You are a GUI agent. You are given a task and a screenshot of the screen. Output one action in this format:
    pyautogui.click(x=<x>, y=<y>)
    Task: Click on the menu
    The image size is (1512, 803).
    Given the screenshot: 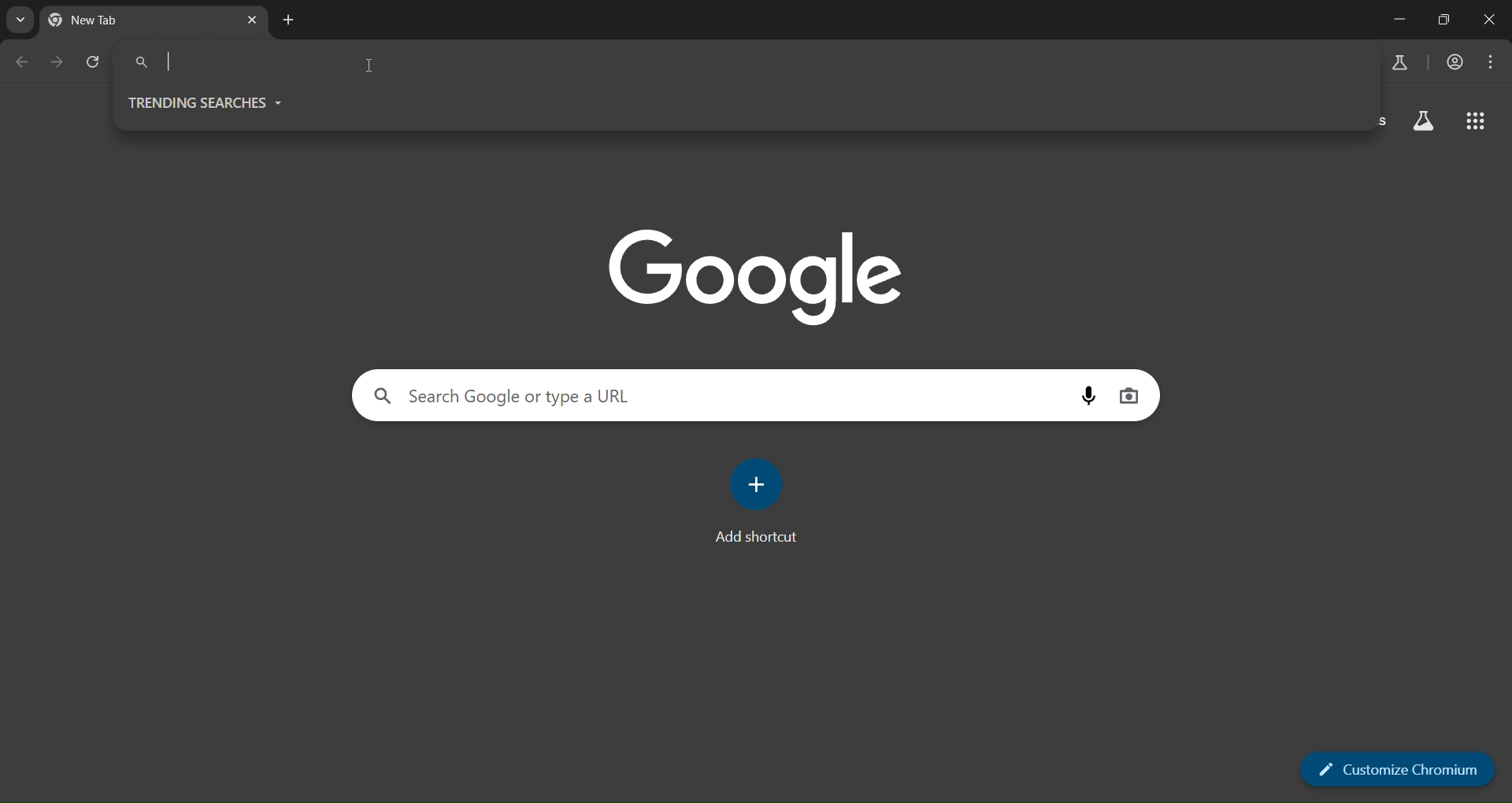 What is the action you would take?
    pyautogui.click(x=1492, y=63)
    